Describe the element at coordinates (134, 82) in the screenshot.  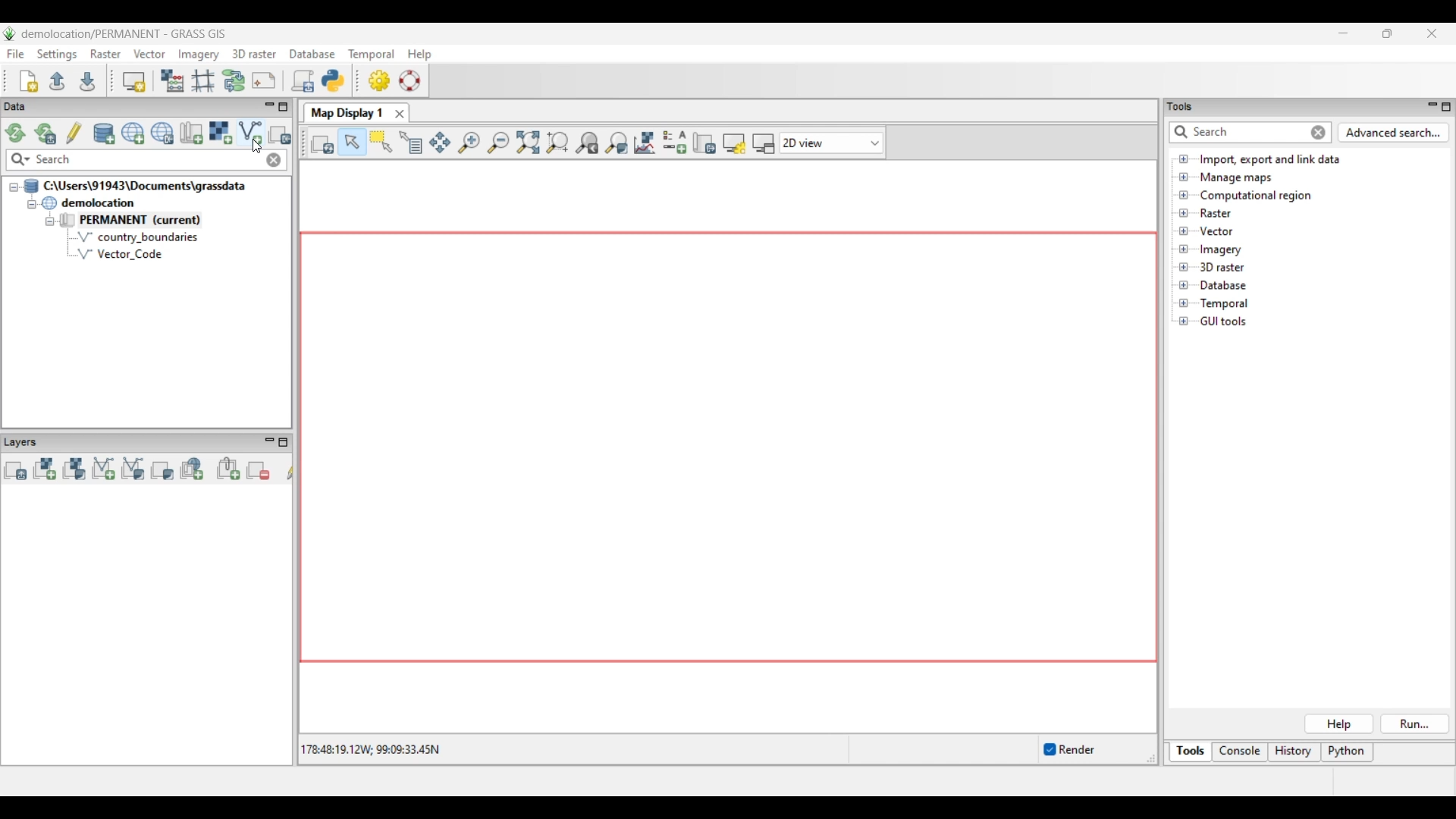
I see `Start new map display` at that location.